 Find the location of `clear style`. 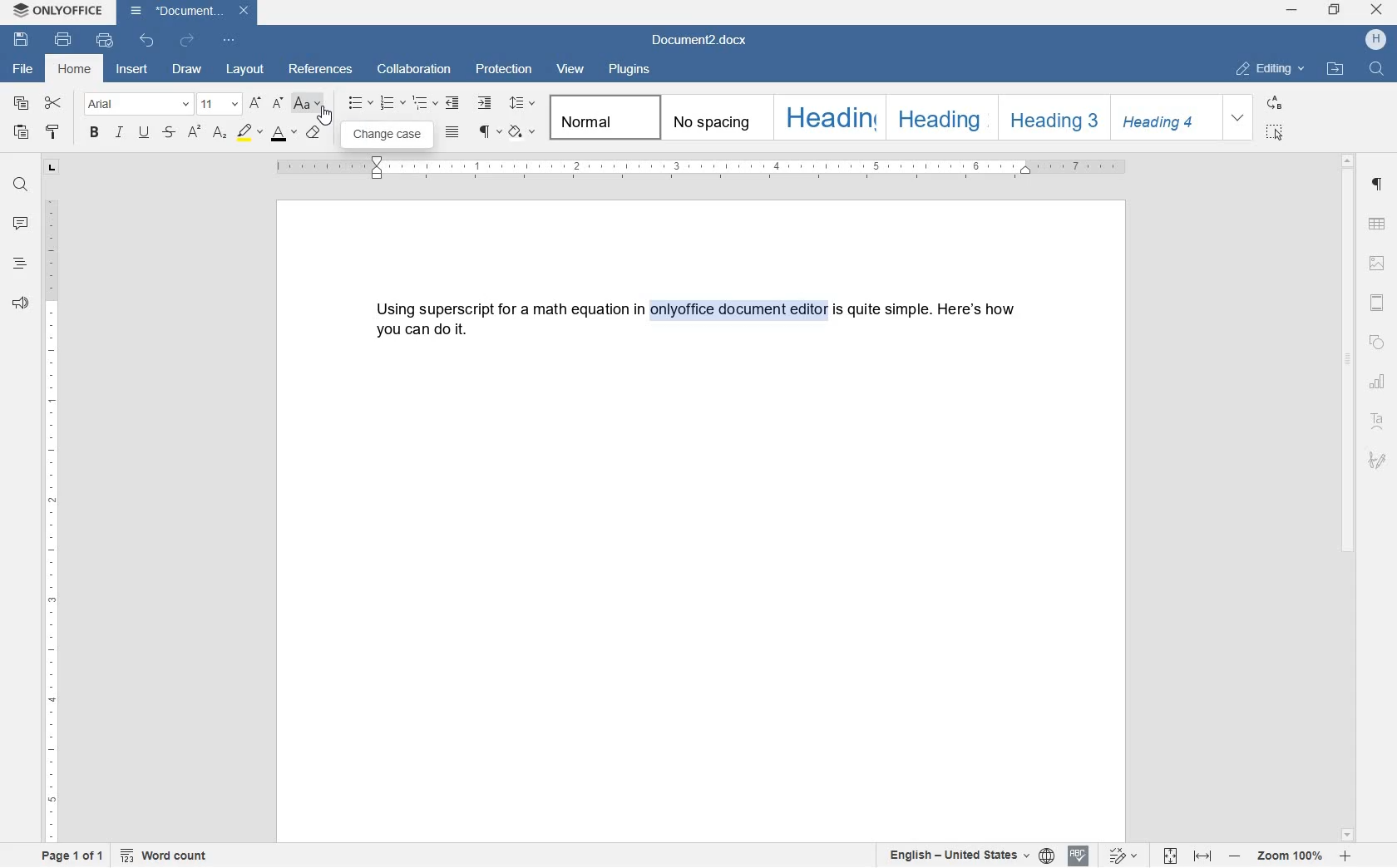

clear style is located at coordinates (314, 133).